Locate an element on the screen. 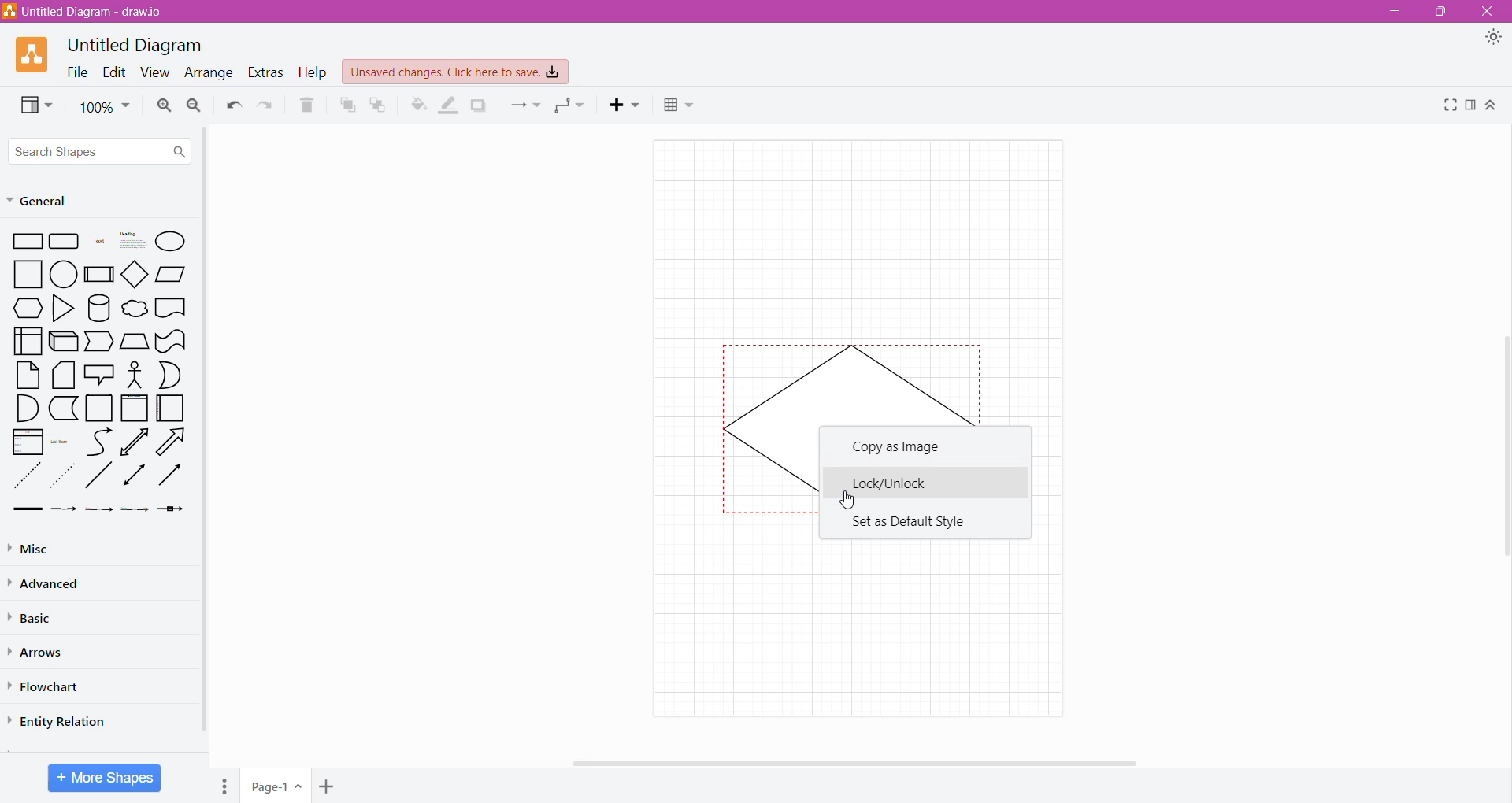  Minimize is located at coordinates (1391, 11).